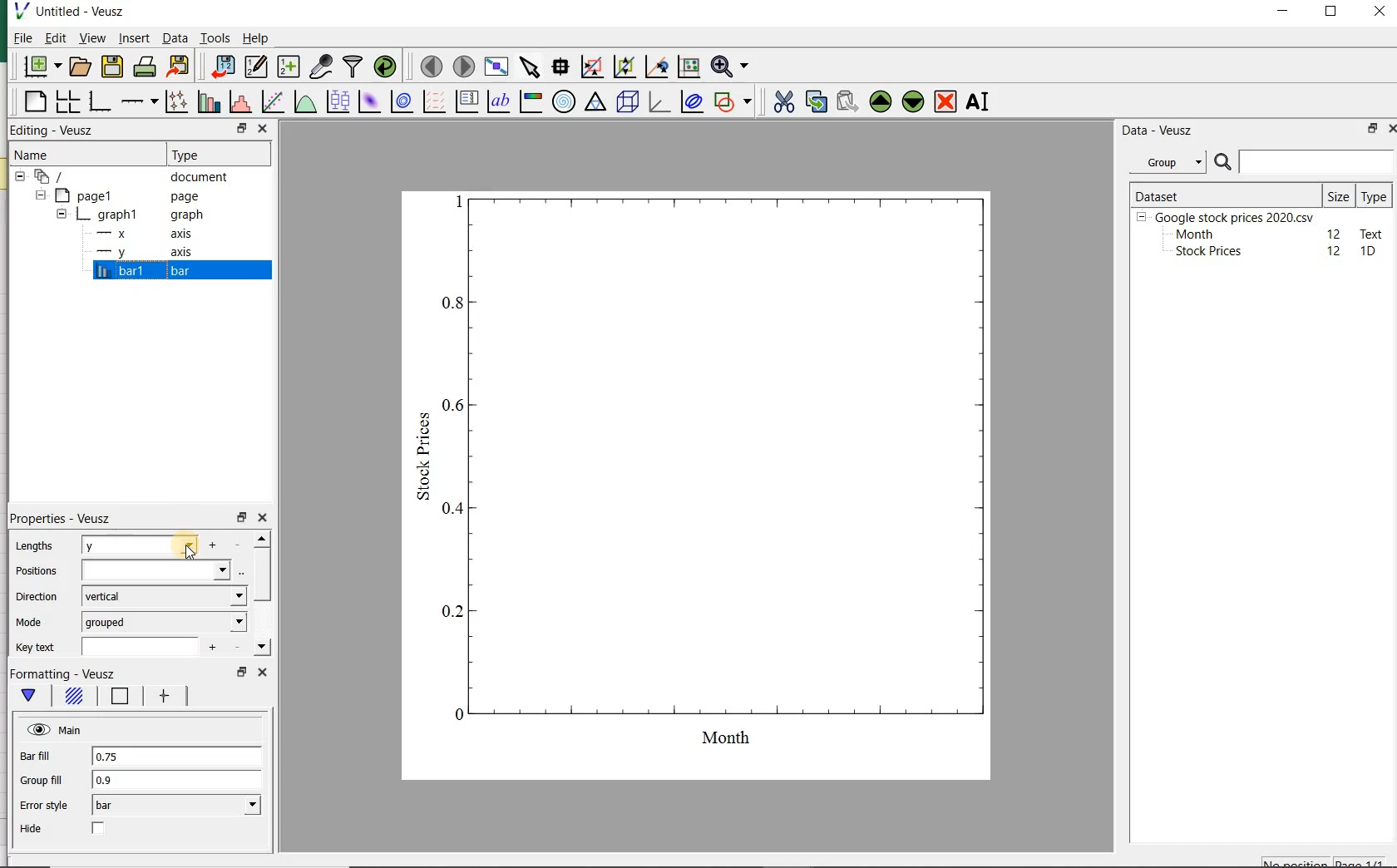 The image size is (1397, 868). Describe the element at coordinates (39, 599) in the screenshot. I see `Direction` at that location.